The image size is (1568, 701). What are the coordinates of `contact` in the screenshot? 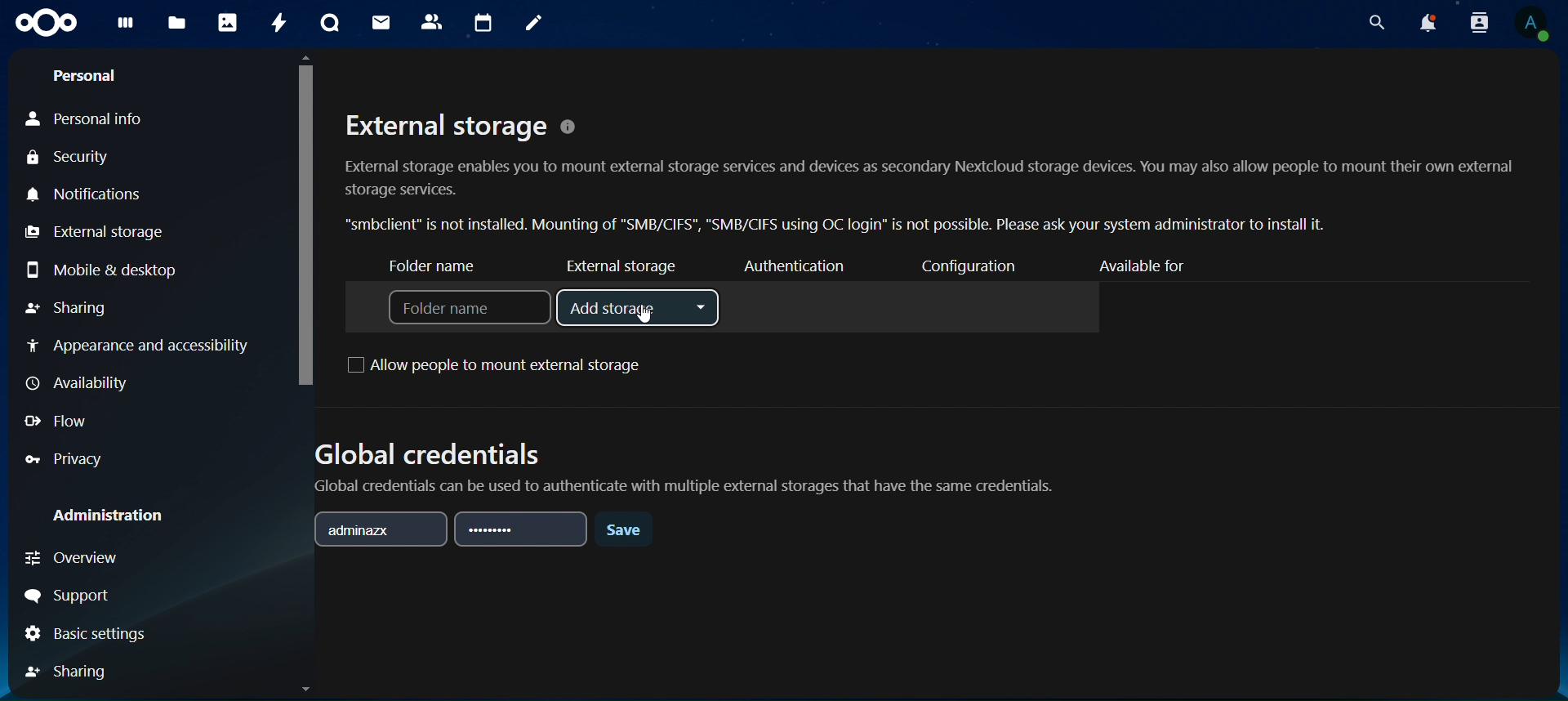 It's located at (433, 22).